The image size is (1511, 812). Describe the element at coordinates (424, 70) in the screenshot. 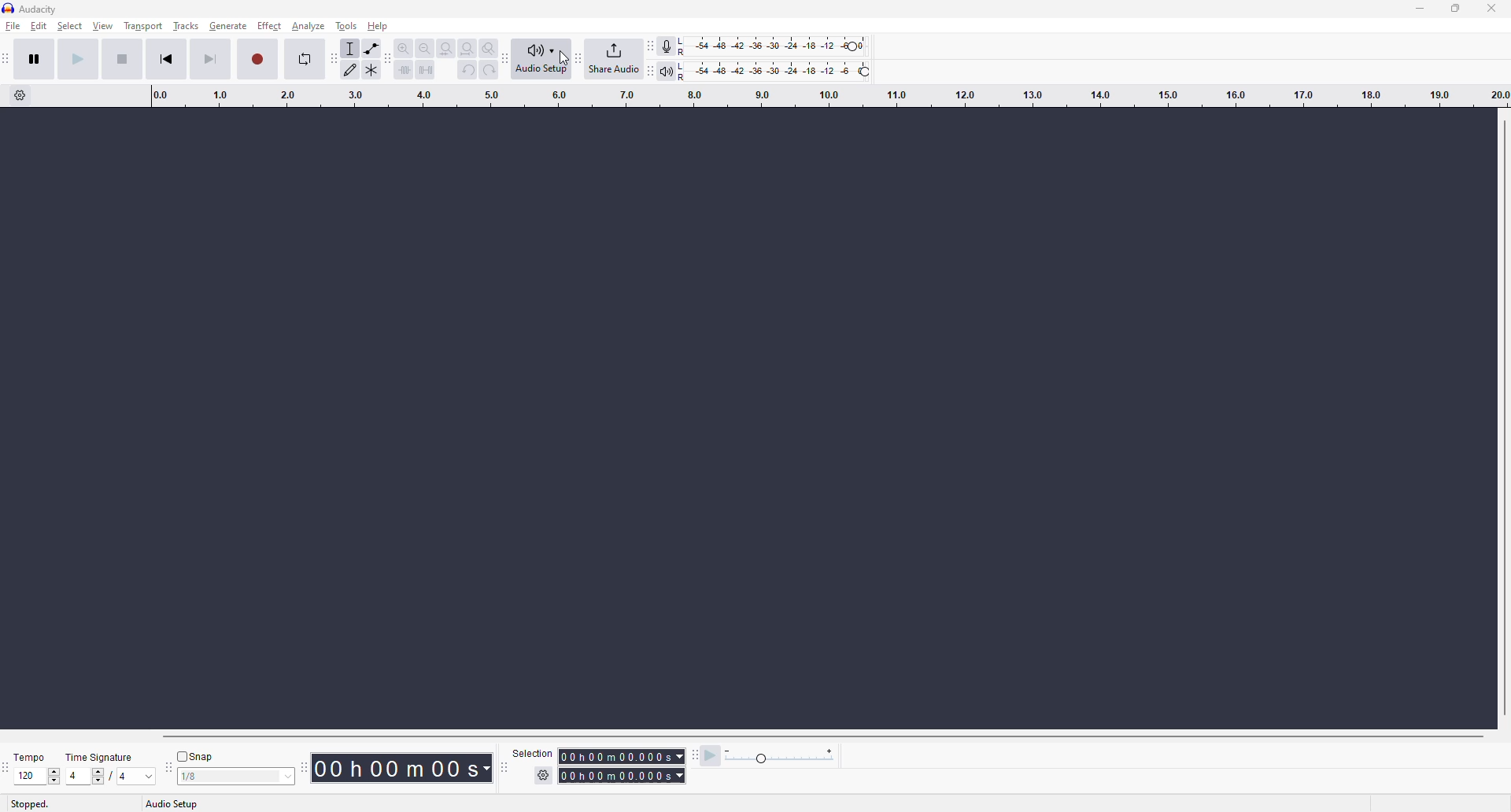

I see `silence audio selection` at that location.